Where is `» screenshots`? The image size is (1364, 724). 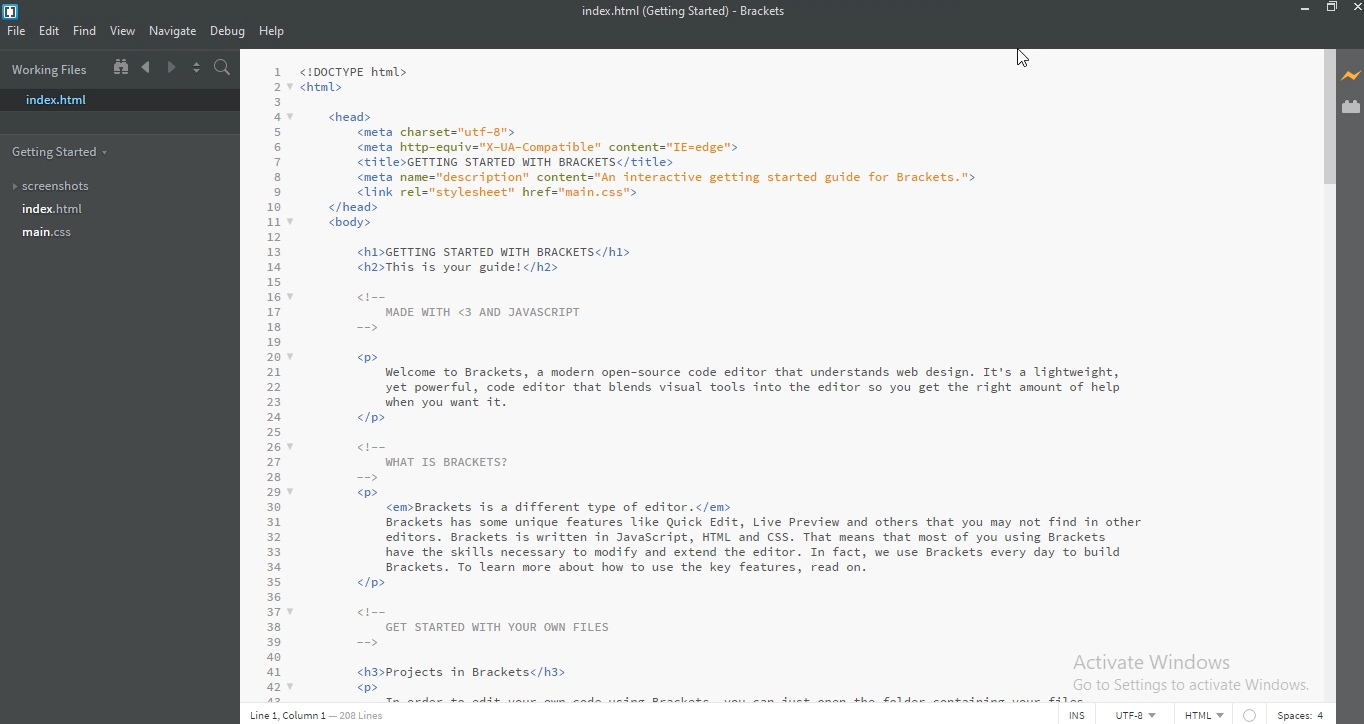
» screenshots is located at coordinates (55, 188).